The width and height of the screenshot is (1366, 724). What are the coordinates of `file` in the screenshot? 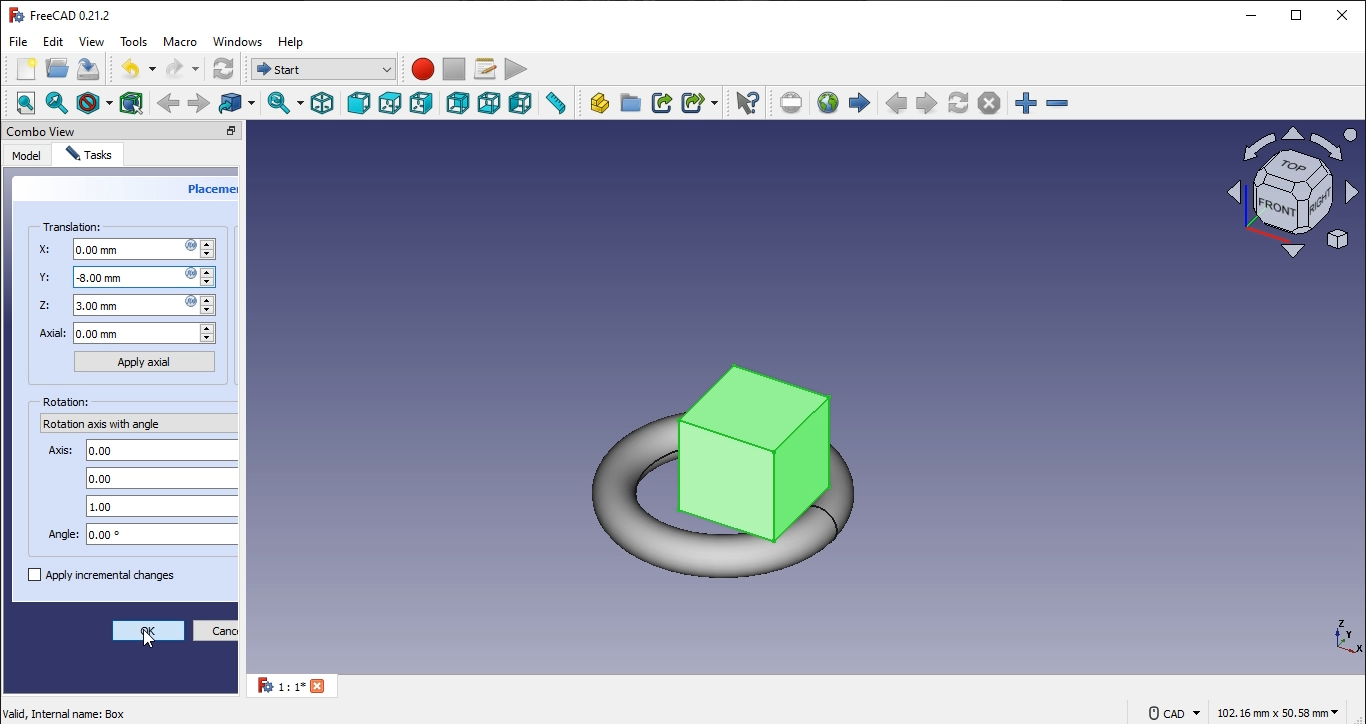 It's located at (21, 41).